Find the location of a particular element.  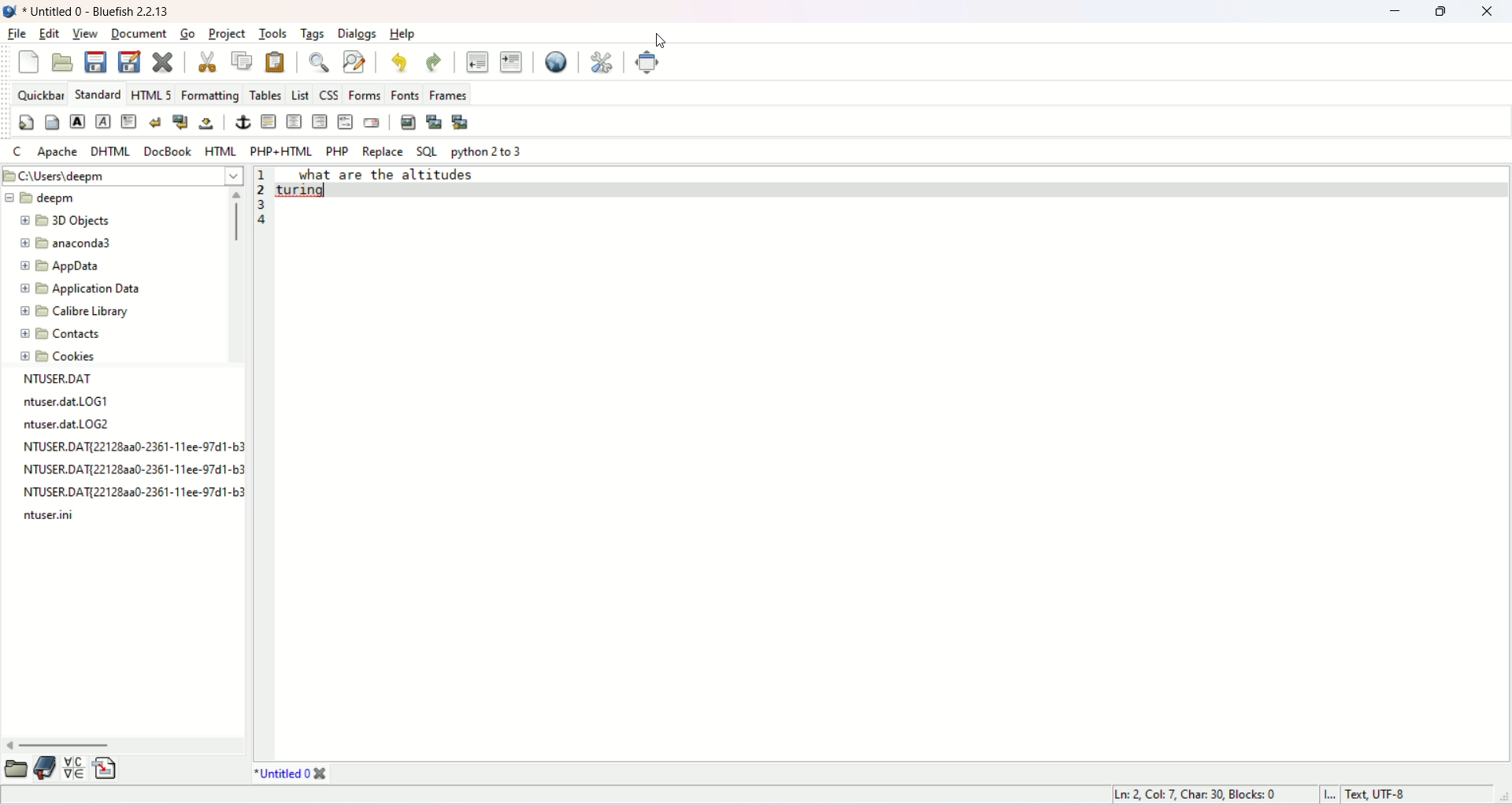

HTML is located at coordinates (219, 150).